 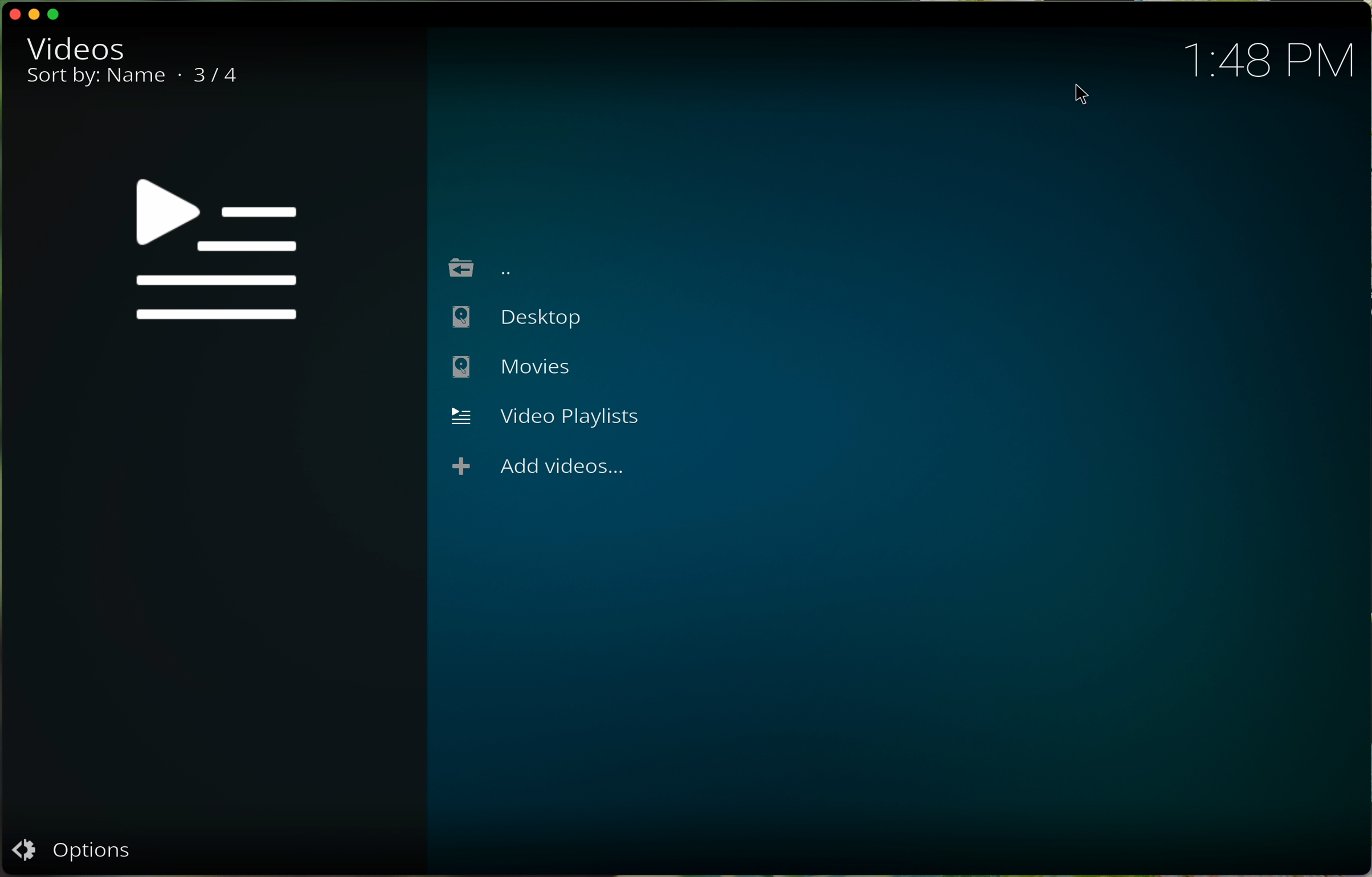 What do you see at coordinates (497, 269) in the screenshot?
I see `go back` at bounding box center [497, 269].